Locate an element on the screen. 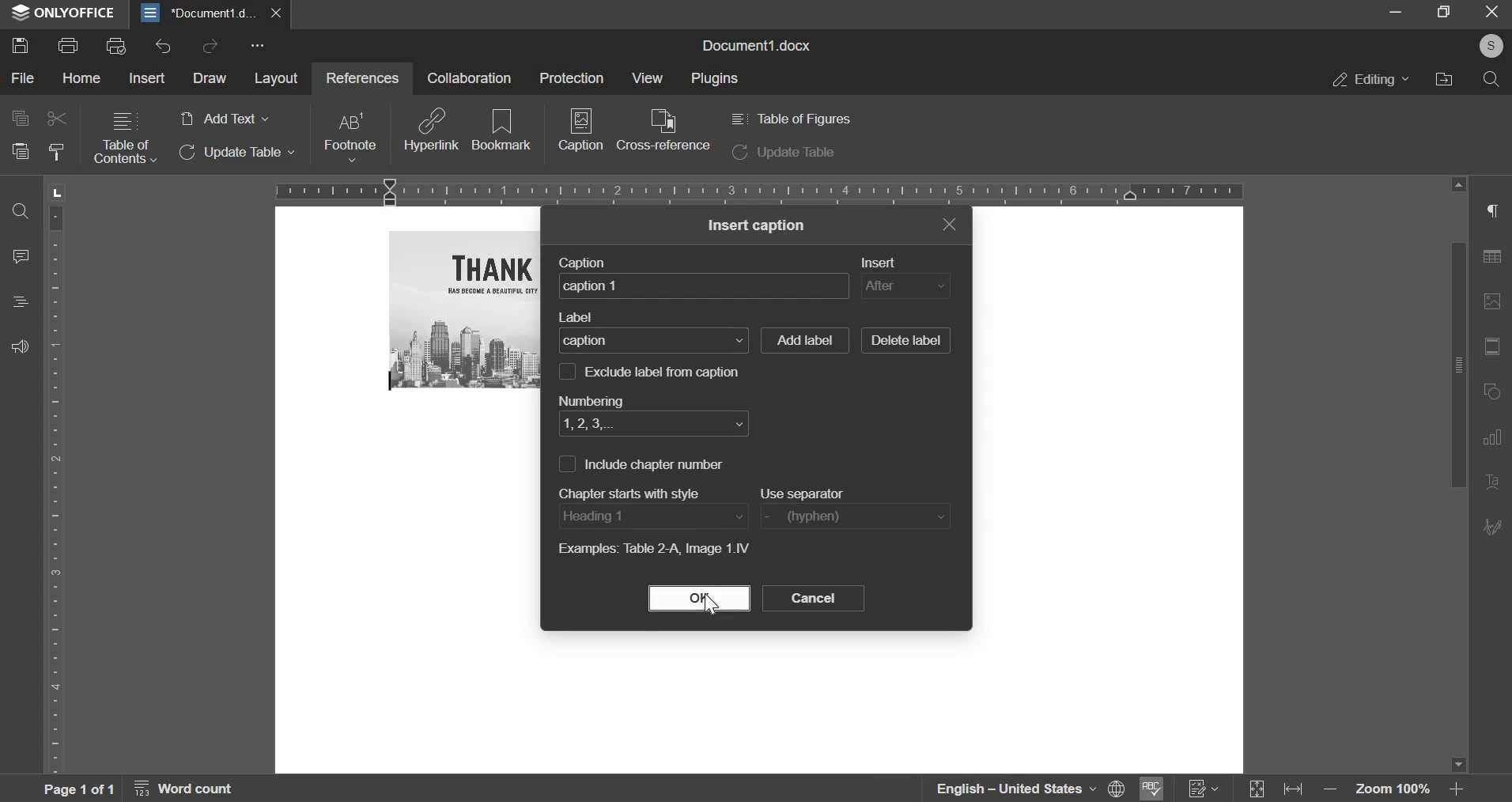 This screenshot has height=802, width=1512. ONLYOFFICE is located at coordinates (63, 13).